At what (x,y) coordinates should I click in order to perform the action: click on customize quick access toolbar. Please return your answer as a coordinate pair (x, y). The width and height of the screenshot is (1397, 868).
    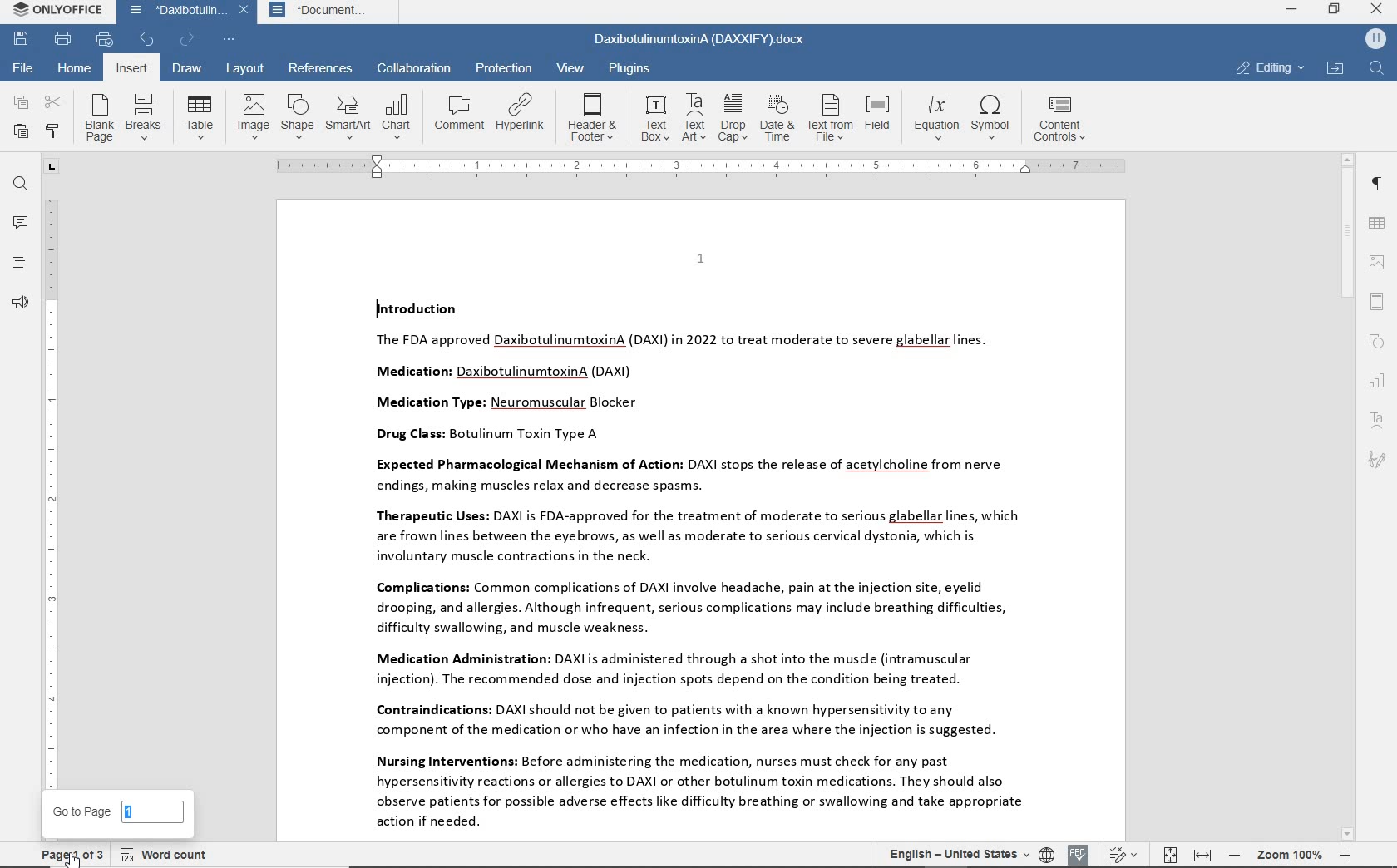
    Looking at the image, I should click on (230, 40).